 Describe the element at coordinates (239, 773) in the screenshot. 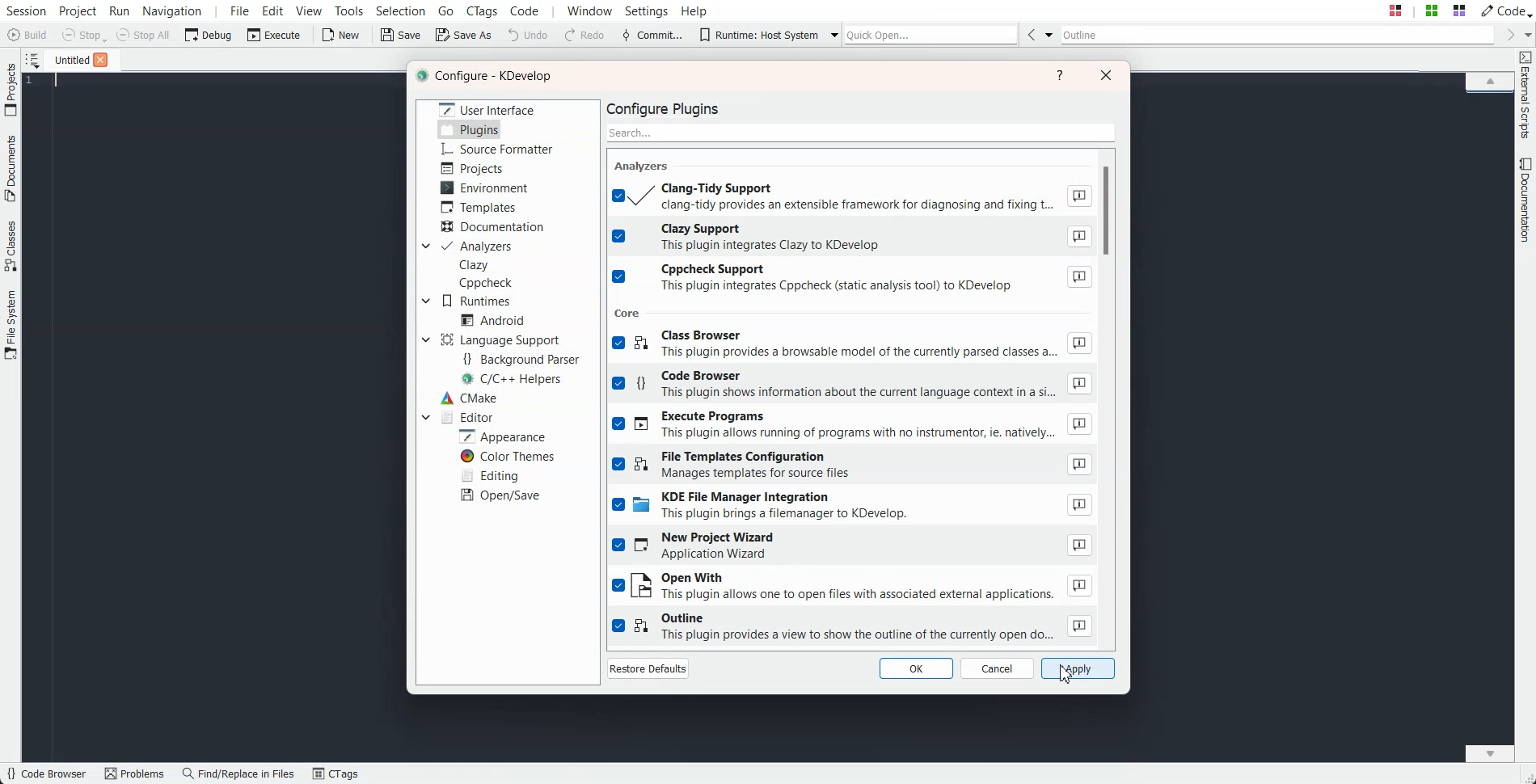

I see `Find/Replace in files` at that location.